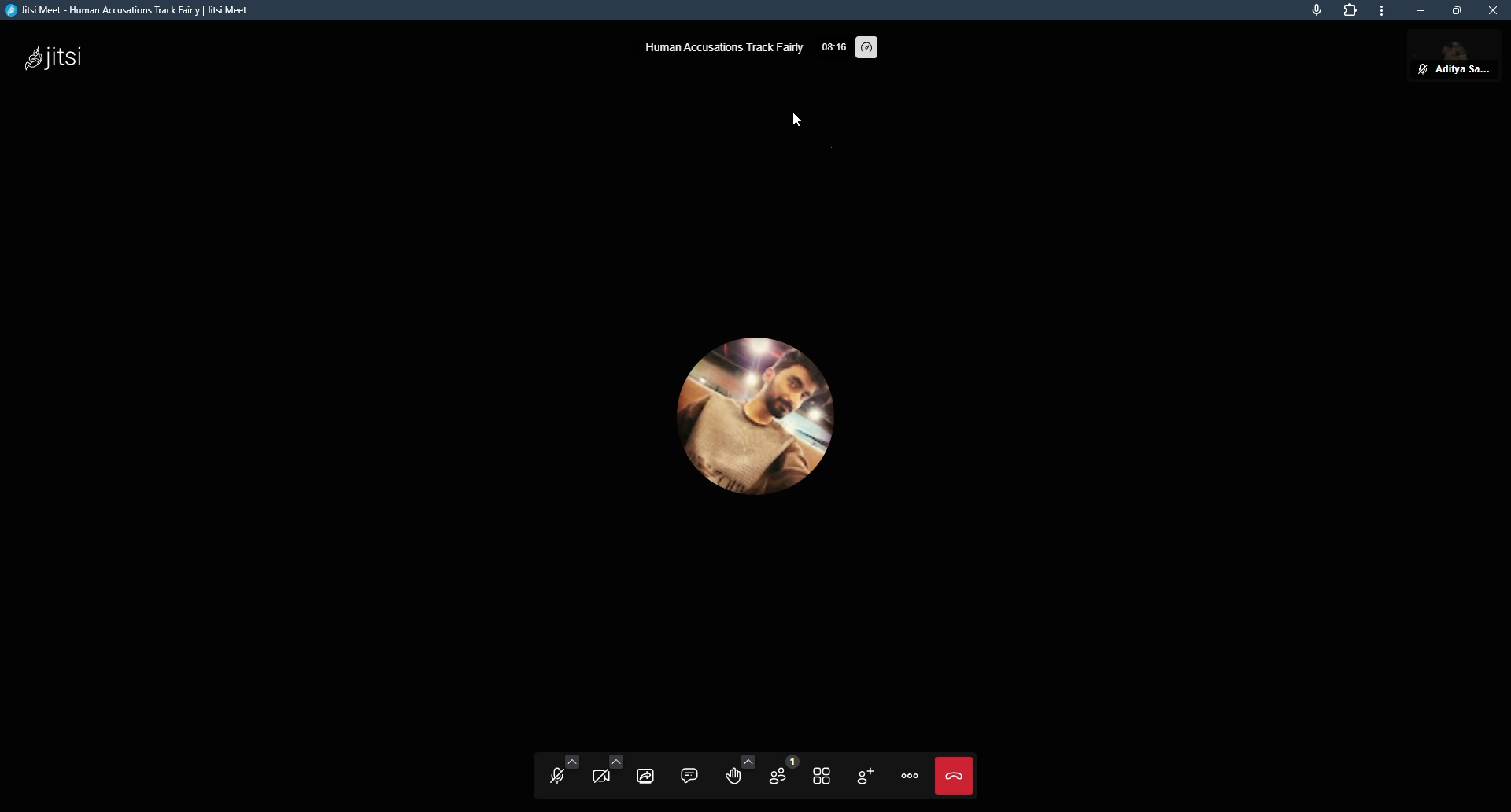 The width and height of the screenshot is (1511, 812). I want to click on muted, so click(1446, 54).